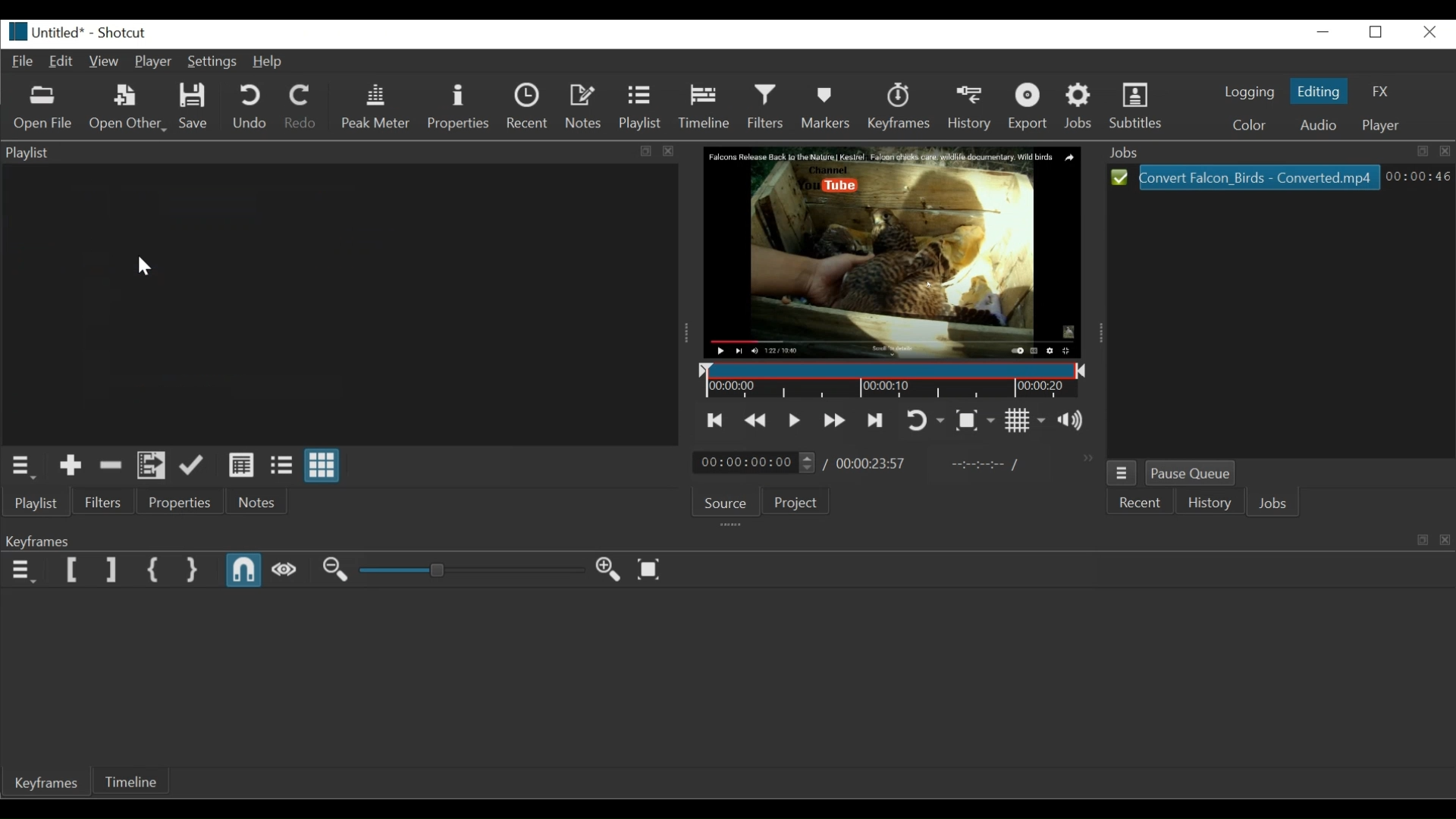  What do you see at coordinates (24, 62) in the screenshot?
I see `File` at bounding box center [24, 62].